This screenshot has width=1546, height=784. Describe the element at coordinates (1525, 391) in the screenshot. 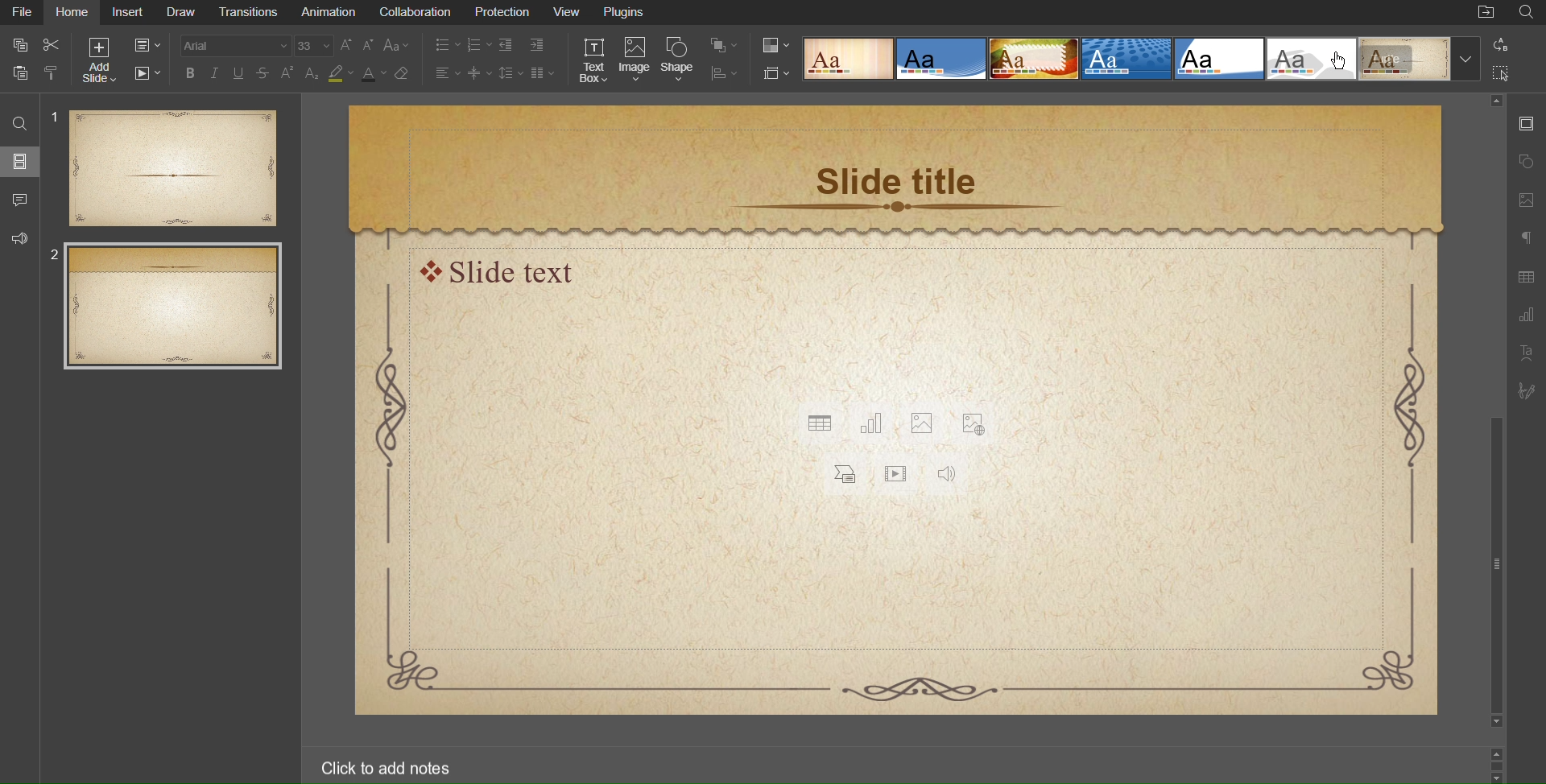

I see `Signature` at that location.